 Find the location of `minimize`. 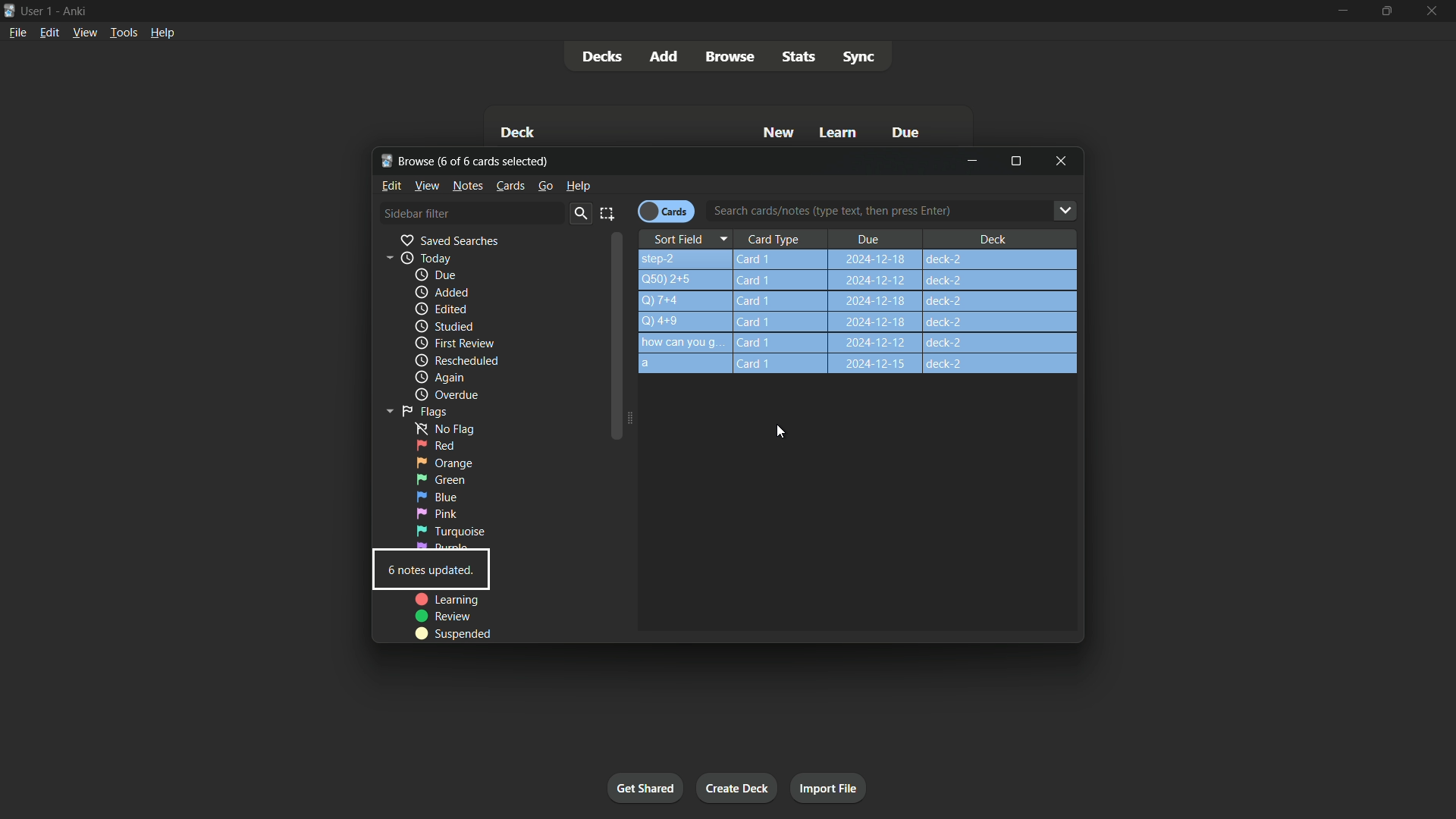

minimize is located at coordinates (1340, 11).